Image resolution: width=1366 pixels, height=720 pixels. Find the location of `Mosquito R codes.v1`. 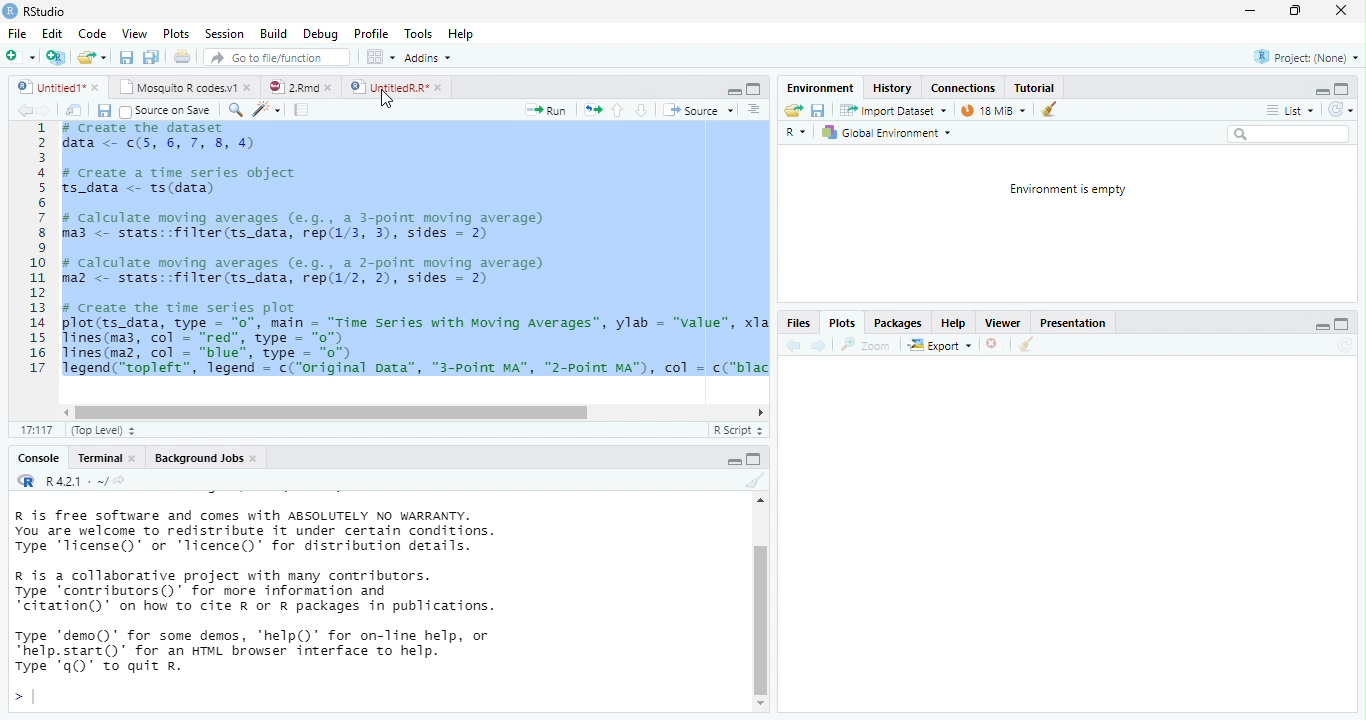

Mosquito R codes.v1 is located at coordinates (180, 86).